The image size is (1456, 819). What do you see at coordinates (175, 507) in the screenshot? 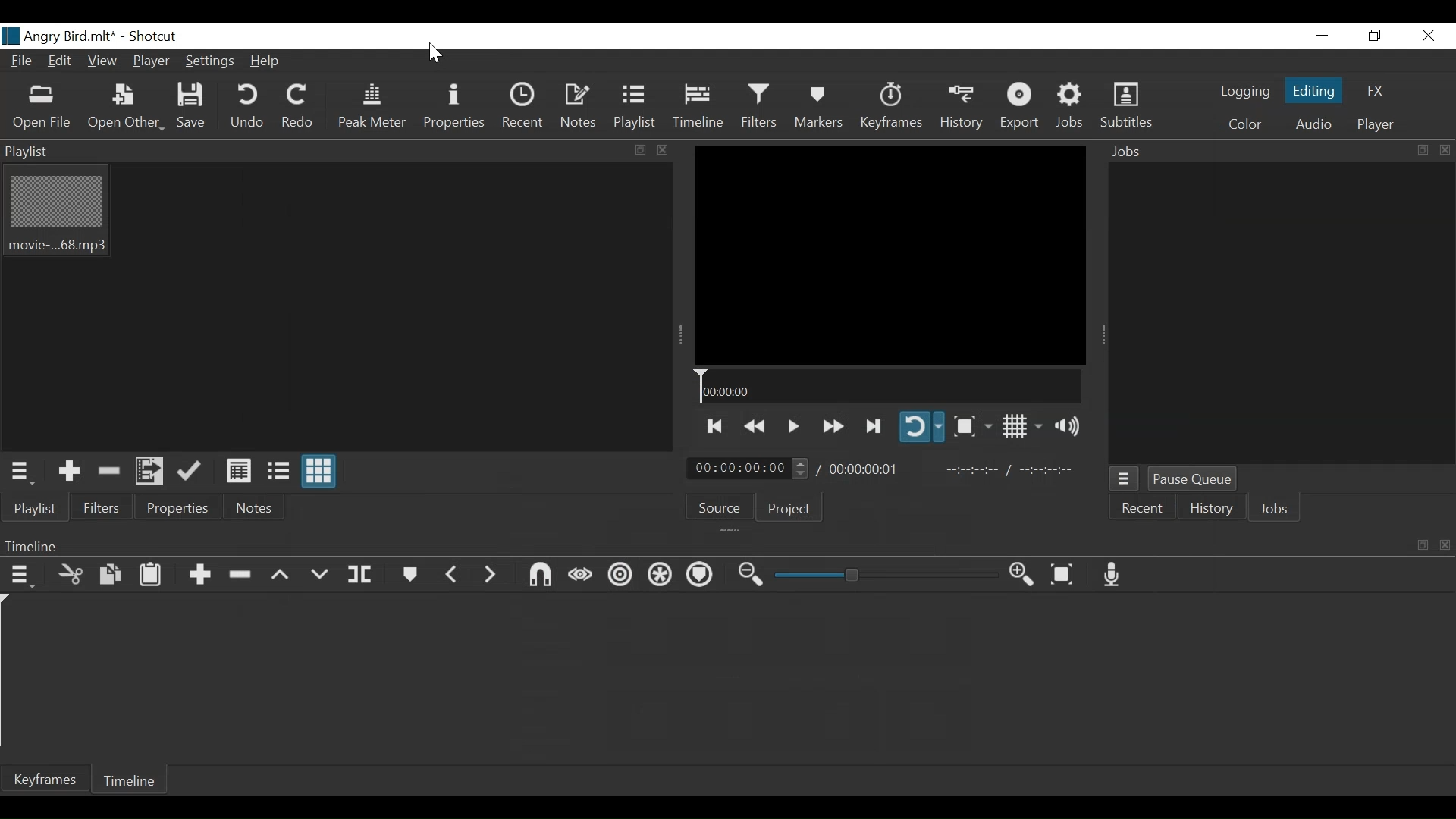
I see `Properties` at bounding box center [175, 507].